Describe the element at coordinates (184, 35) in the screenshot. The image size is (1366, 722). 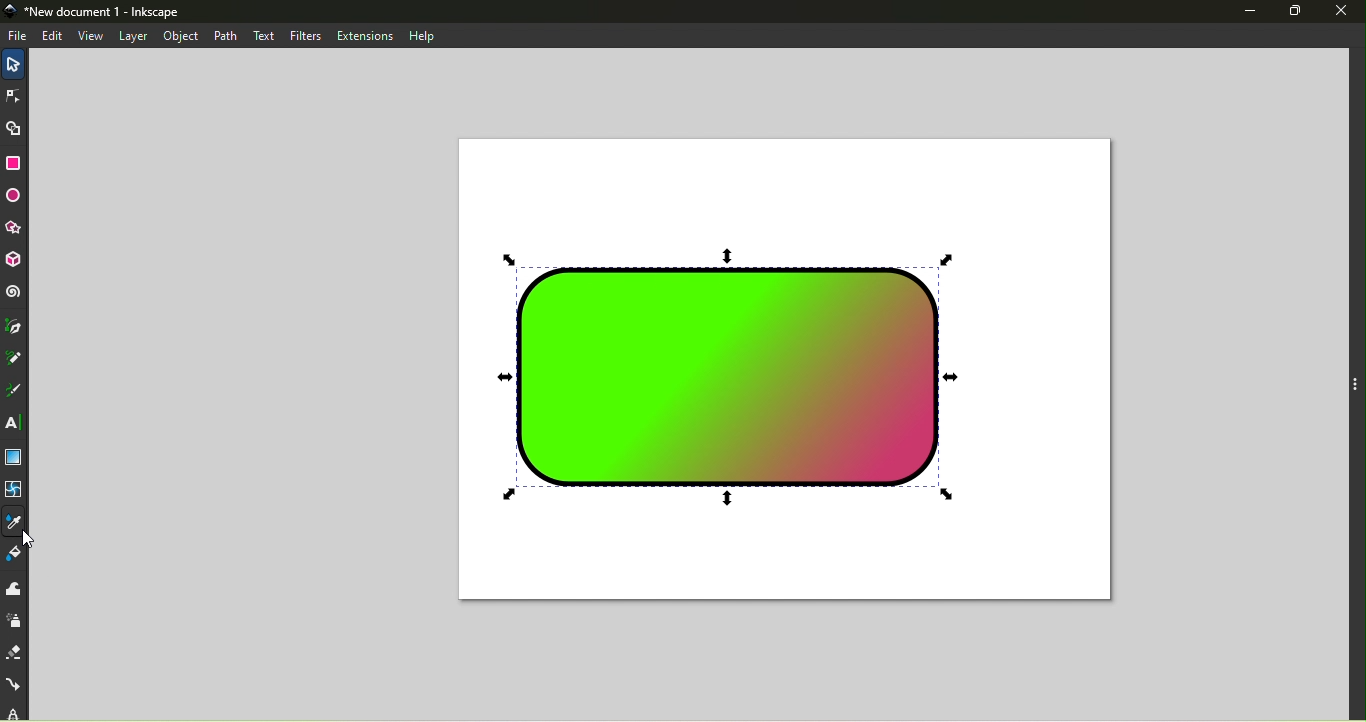
I see `Object` at that location.